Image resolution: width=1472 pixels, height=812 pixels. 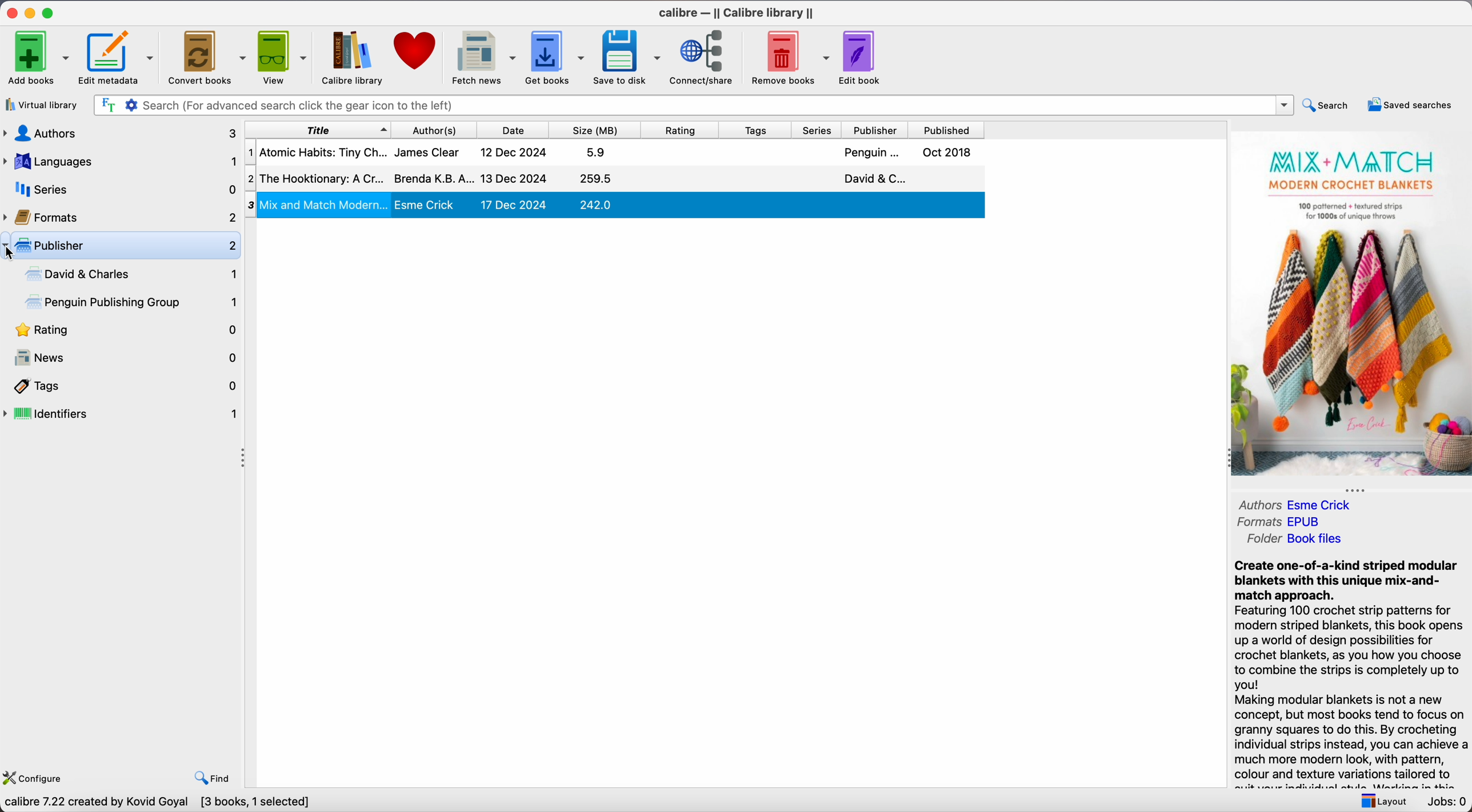 I want to click on languages, so click(x=119, y=162).